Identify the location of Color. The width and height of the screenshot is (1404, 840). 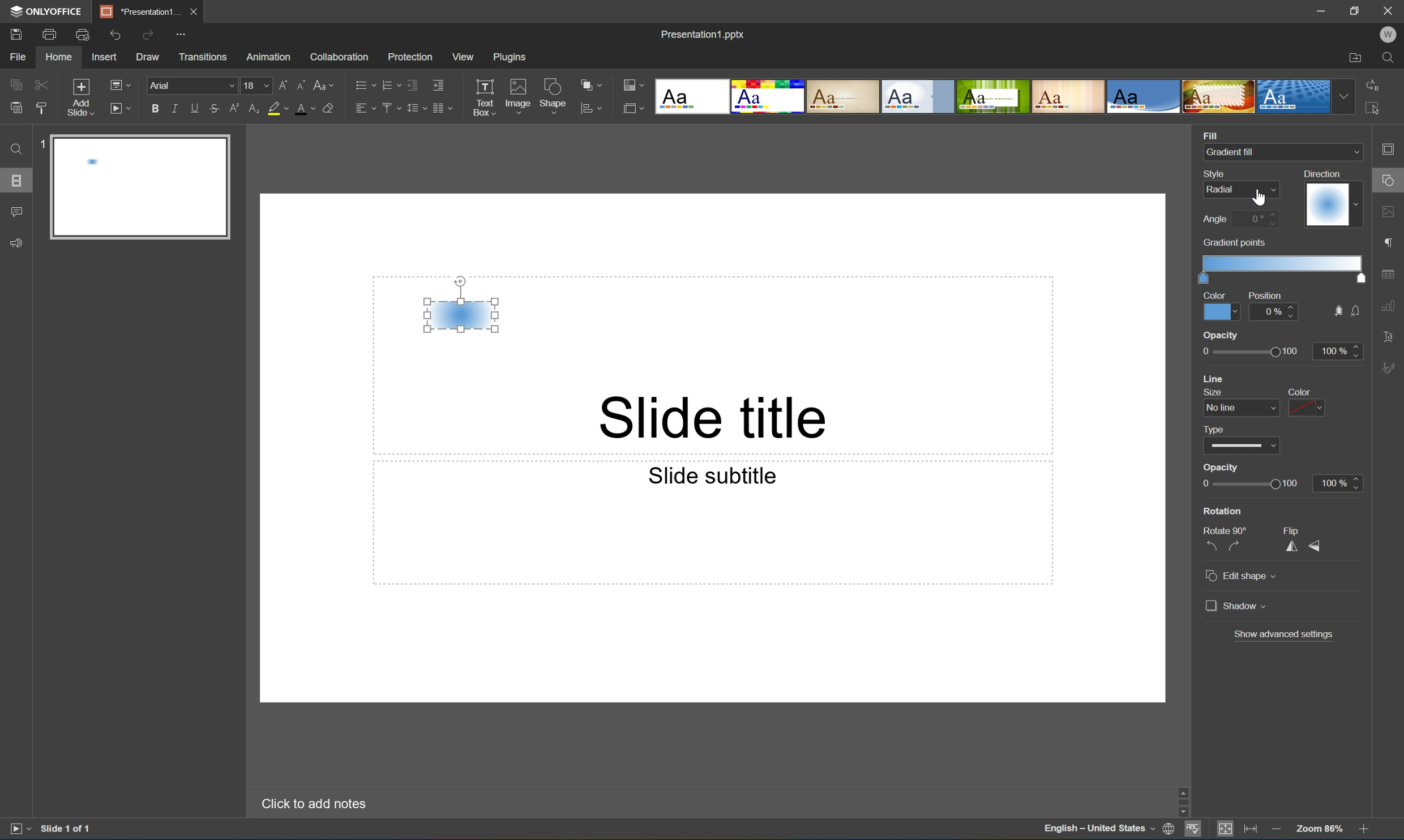
(1221, 311).